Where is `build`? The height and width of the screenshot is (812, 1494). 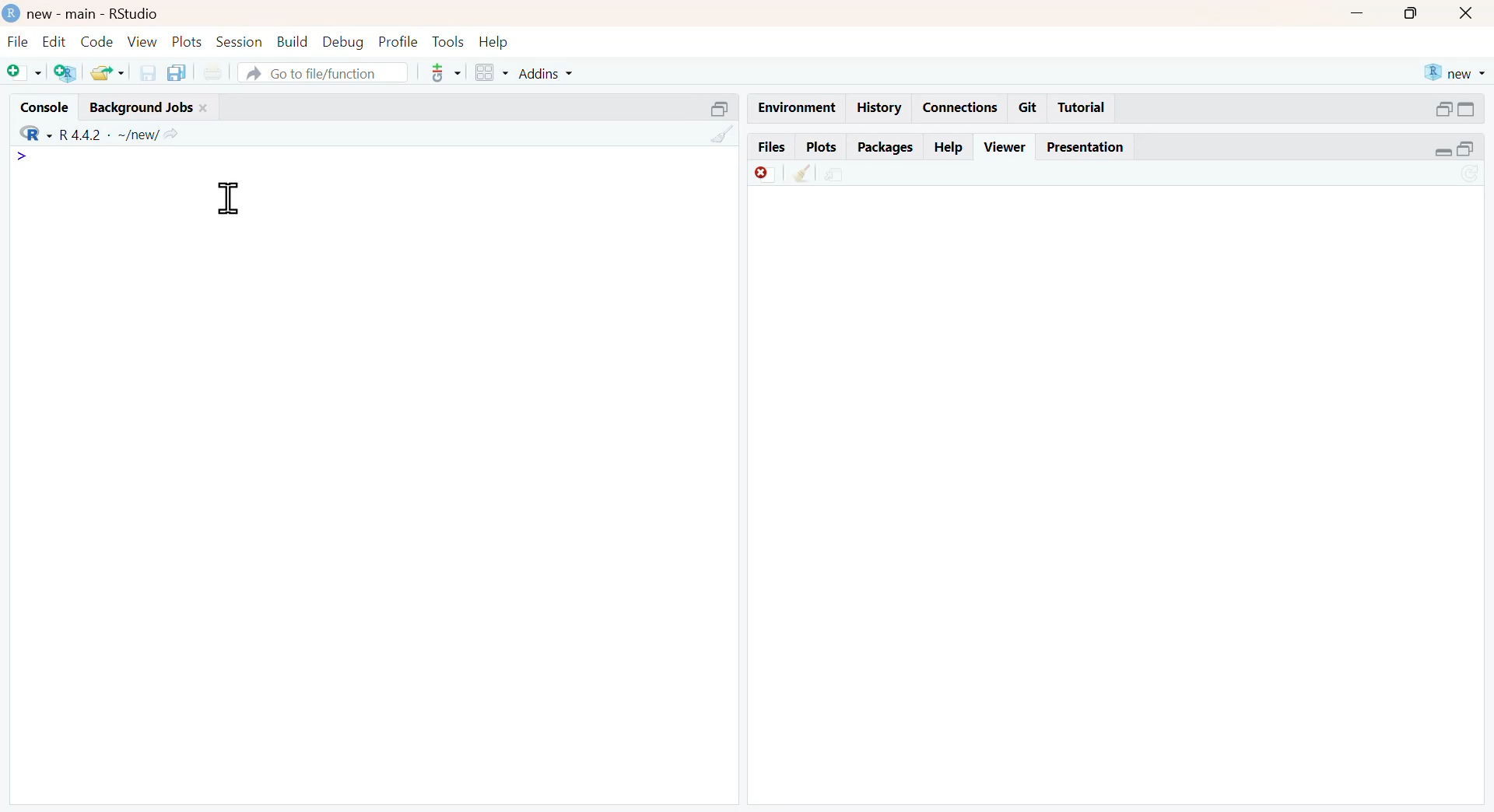
build is located at coordinates (294, 42).